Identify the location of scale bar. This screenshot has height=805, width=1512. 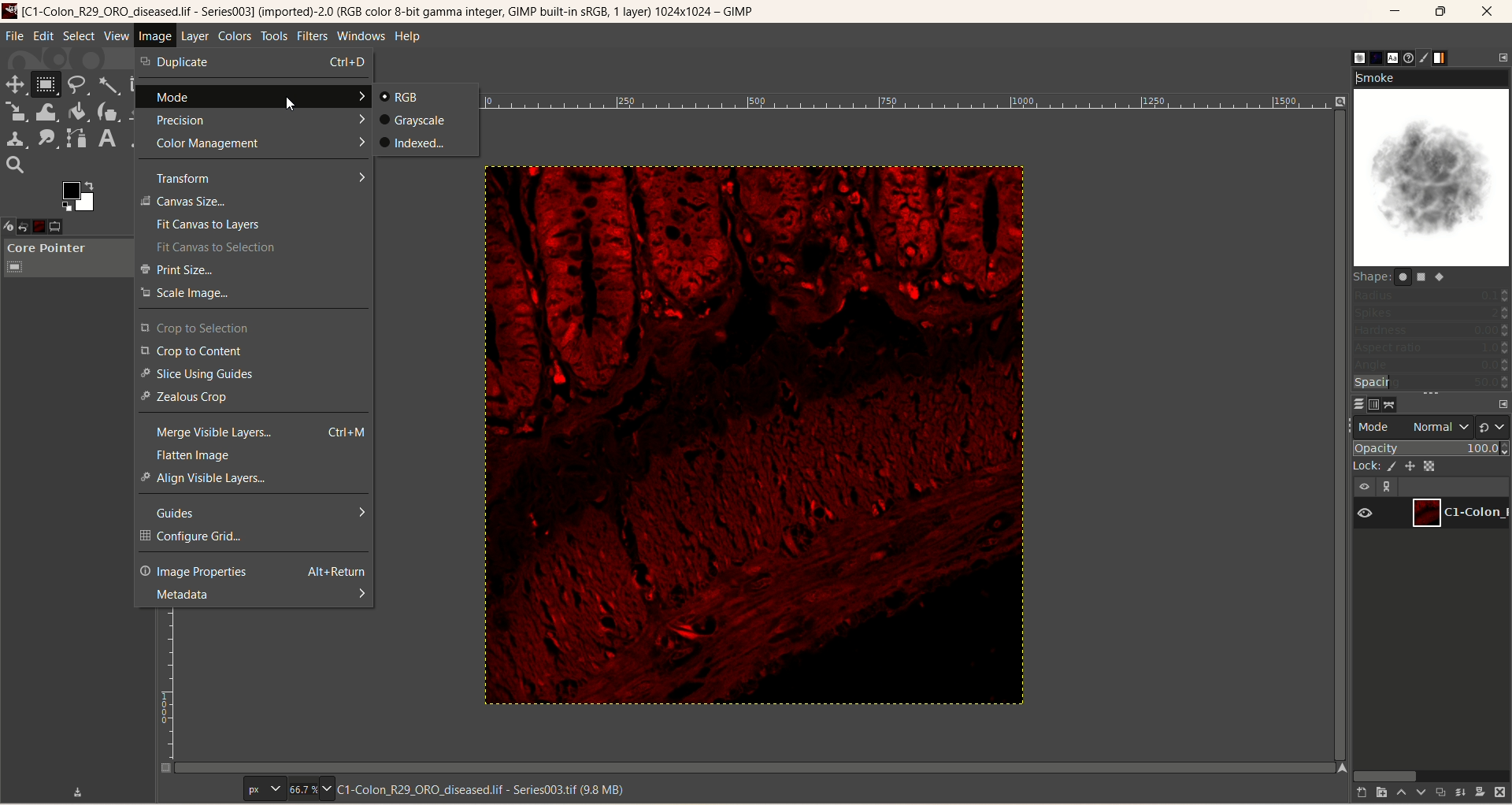
(171, 686).